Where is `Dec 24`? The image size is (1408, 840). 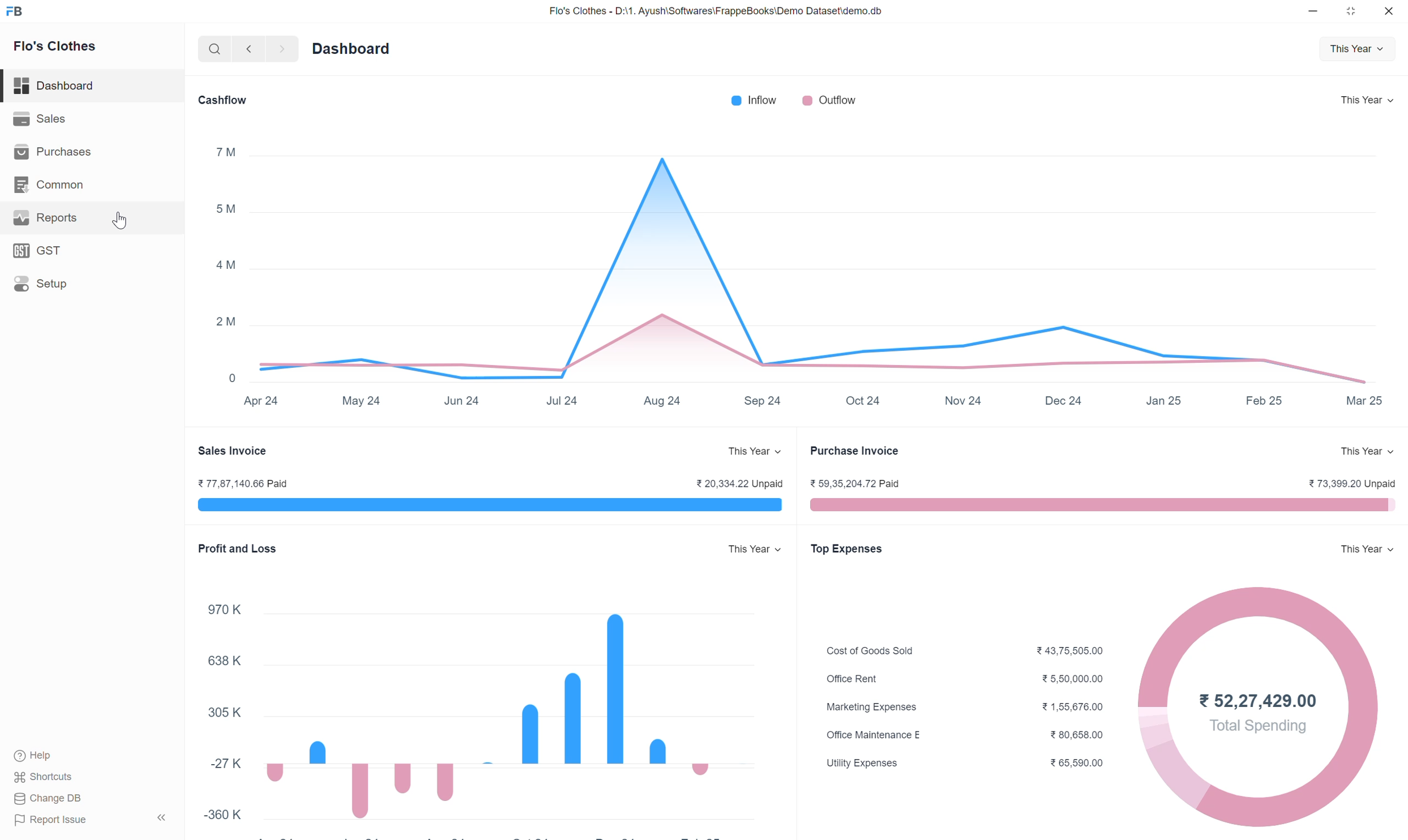 Dec 24 is located at coordinates (1060, 400).